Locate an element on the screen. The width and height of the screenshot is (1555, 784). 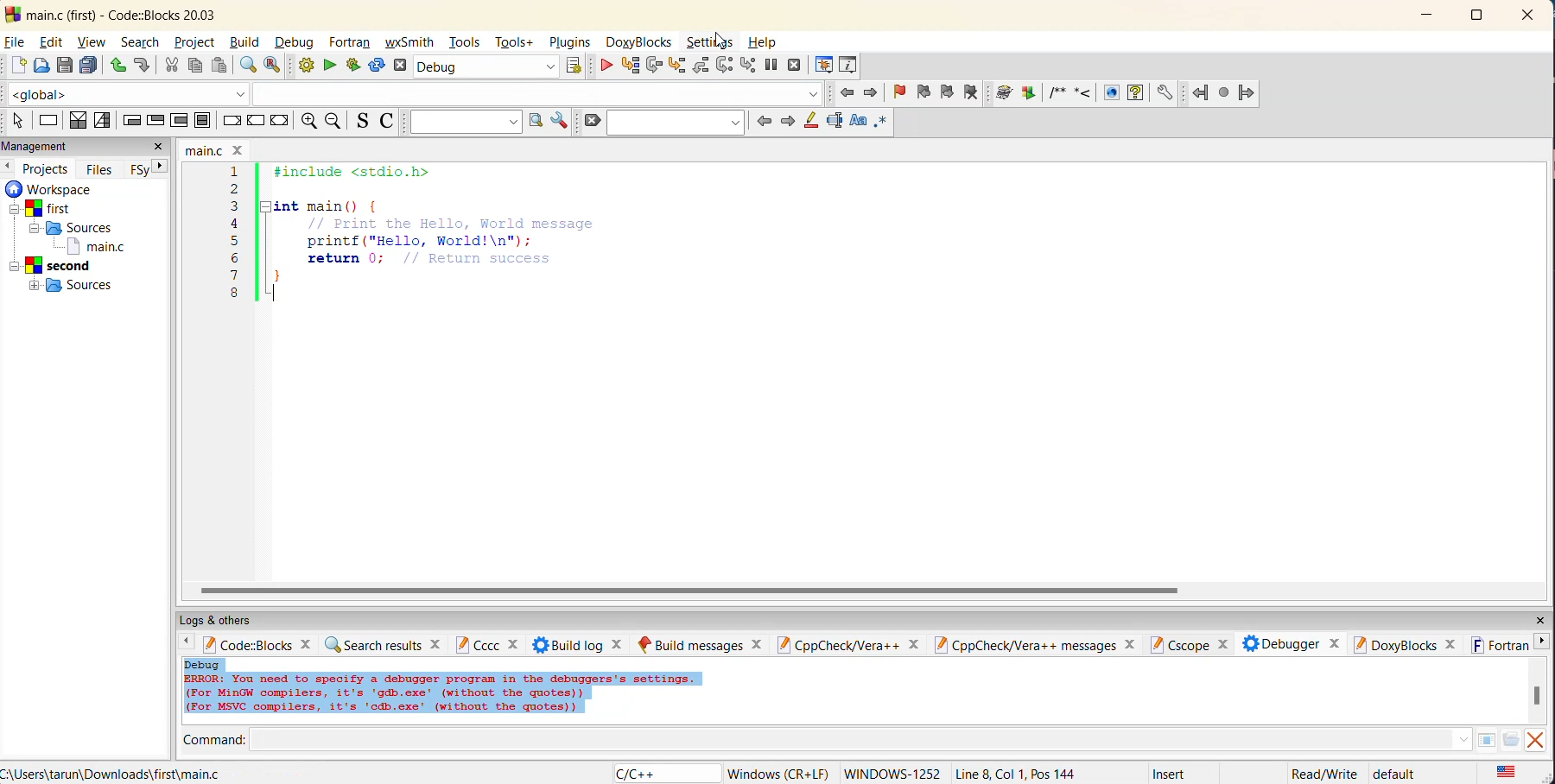
clear is located at coordinates (593, 123).